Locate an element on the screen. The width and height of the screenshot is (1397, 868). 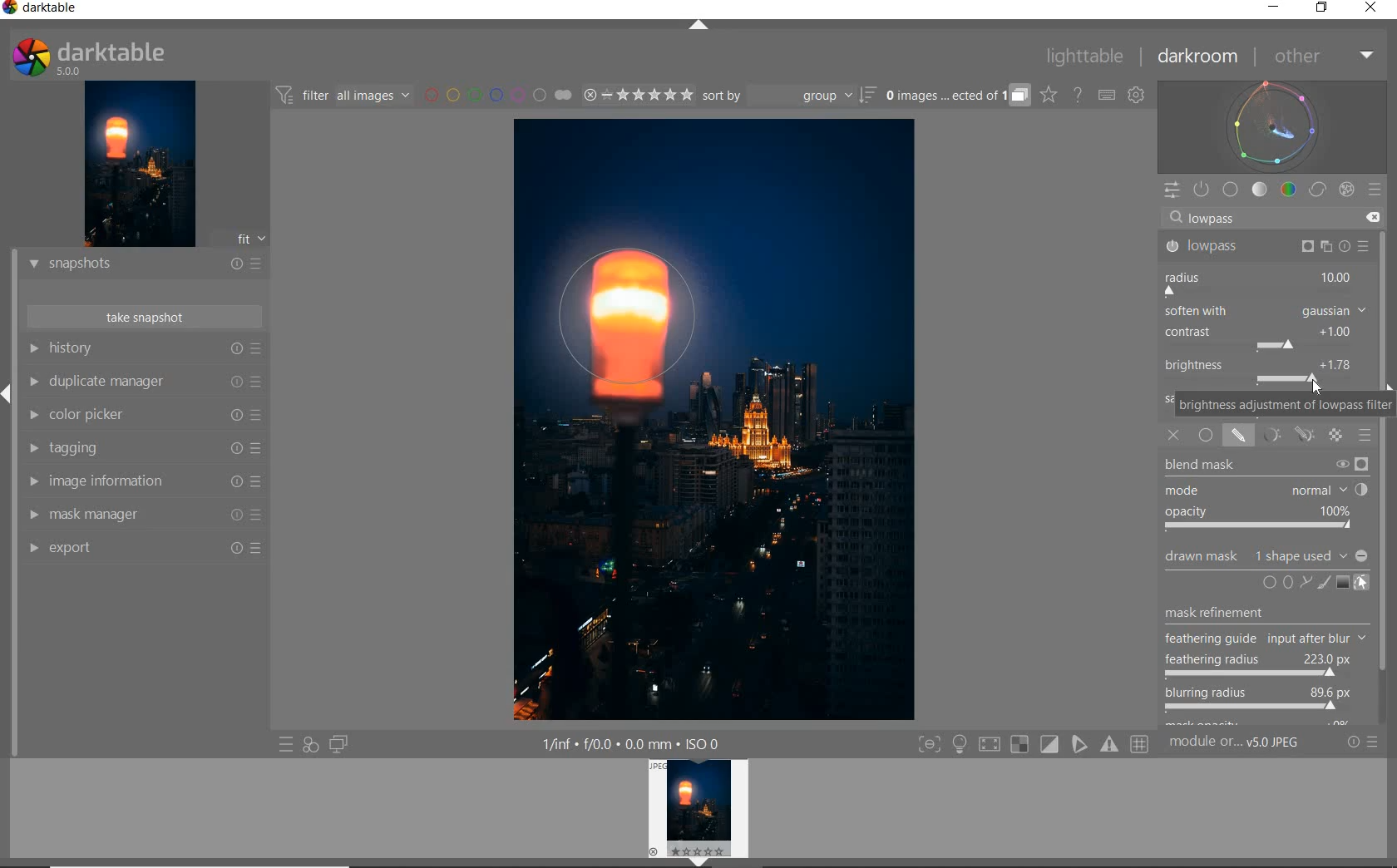
HISTORY is located at coordinates (143, 350).